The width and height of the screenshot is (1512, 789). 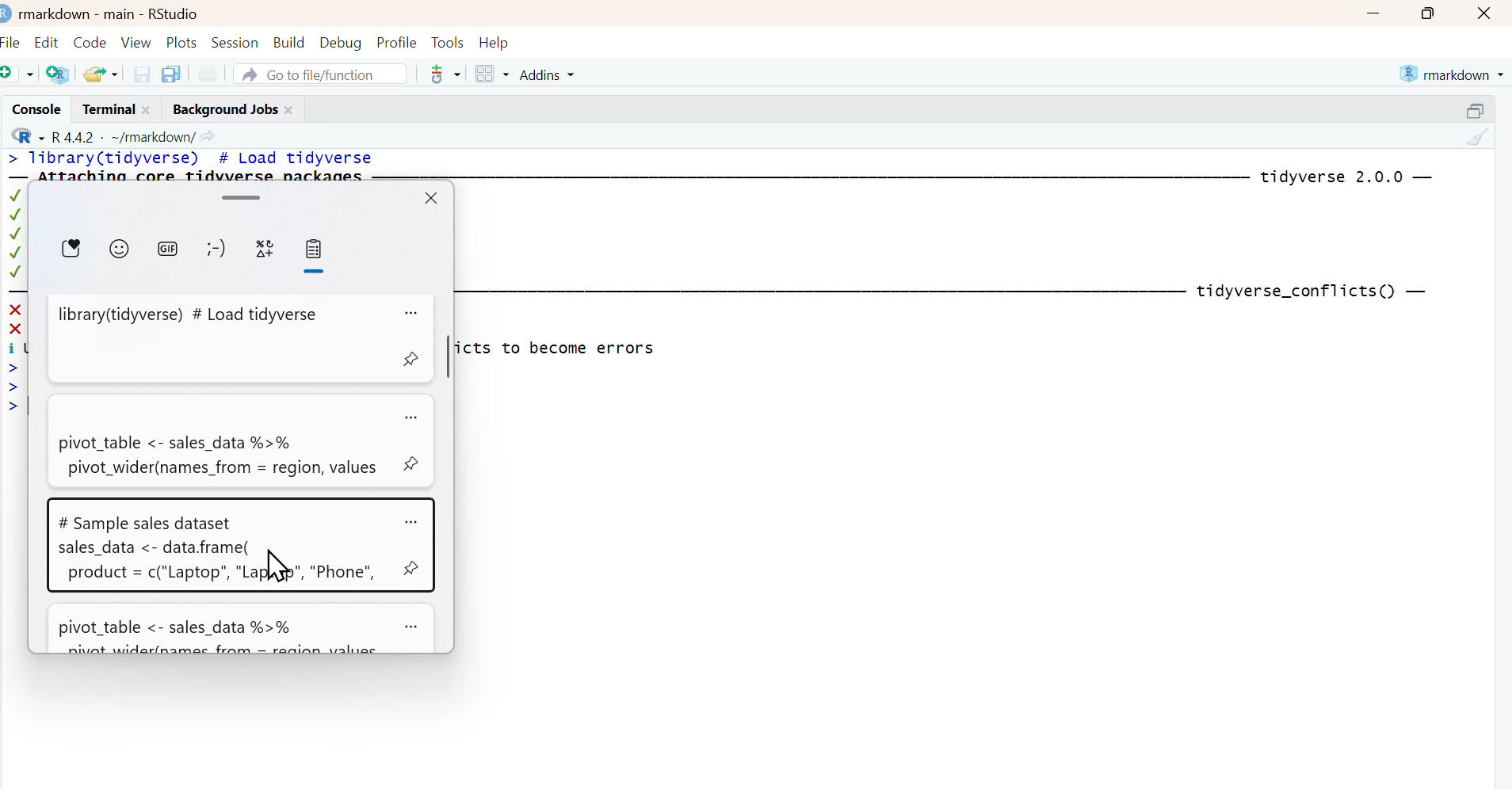 What do you see at coordinates (78, 12) in the screenshot?
I see `markdown - main -` at bounding box center [78, 12].